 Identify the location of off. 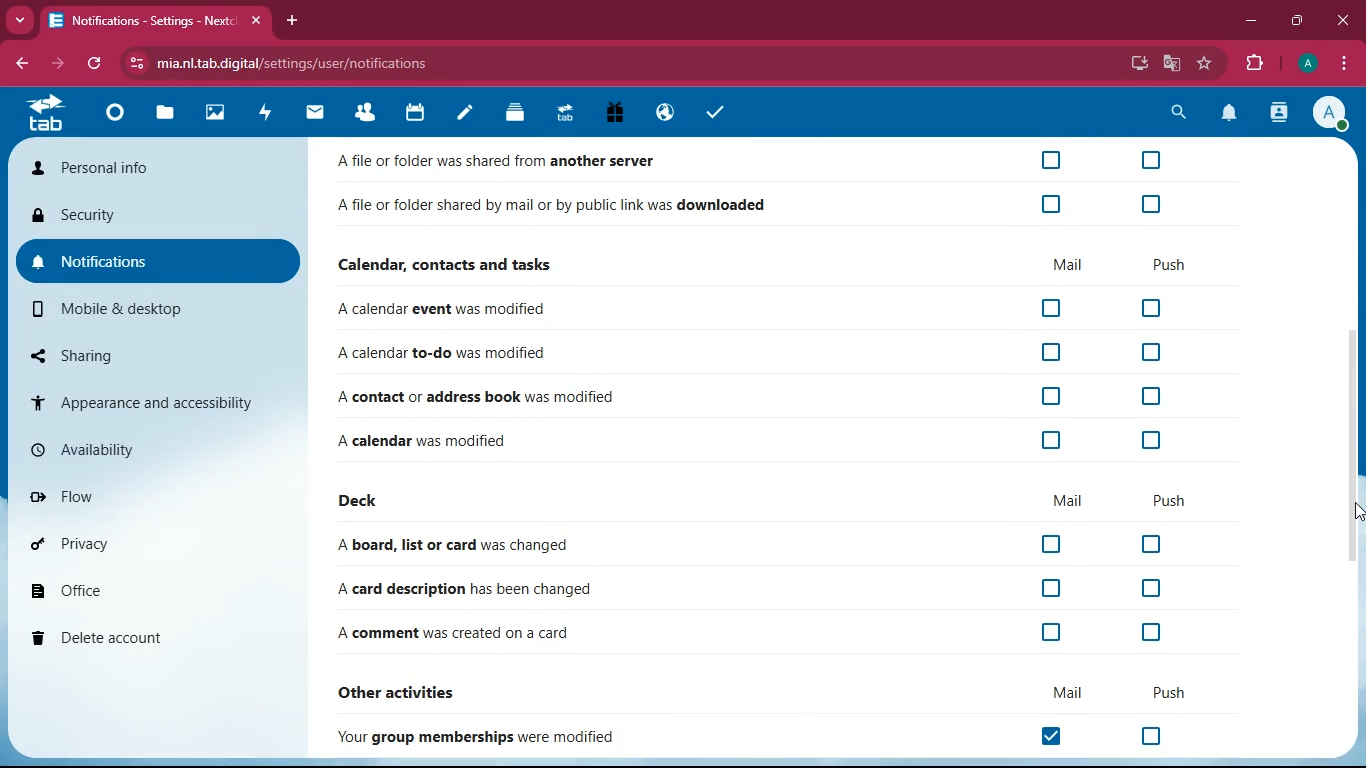
(1149, 160).